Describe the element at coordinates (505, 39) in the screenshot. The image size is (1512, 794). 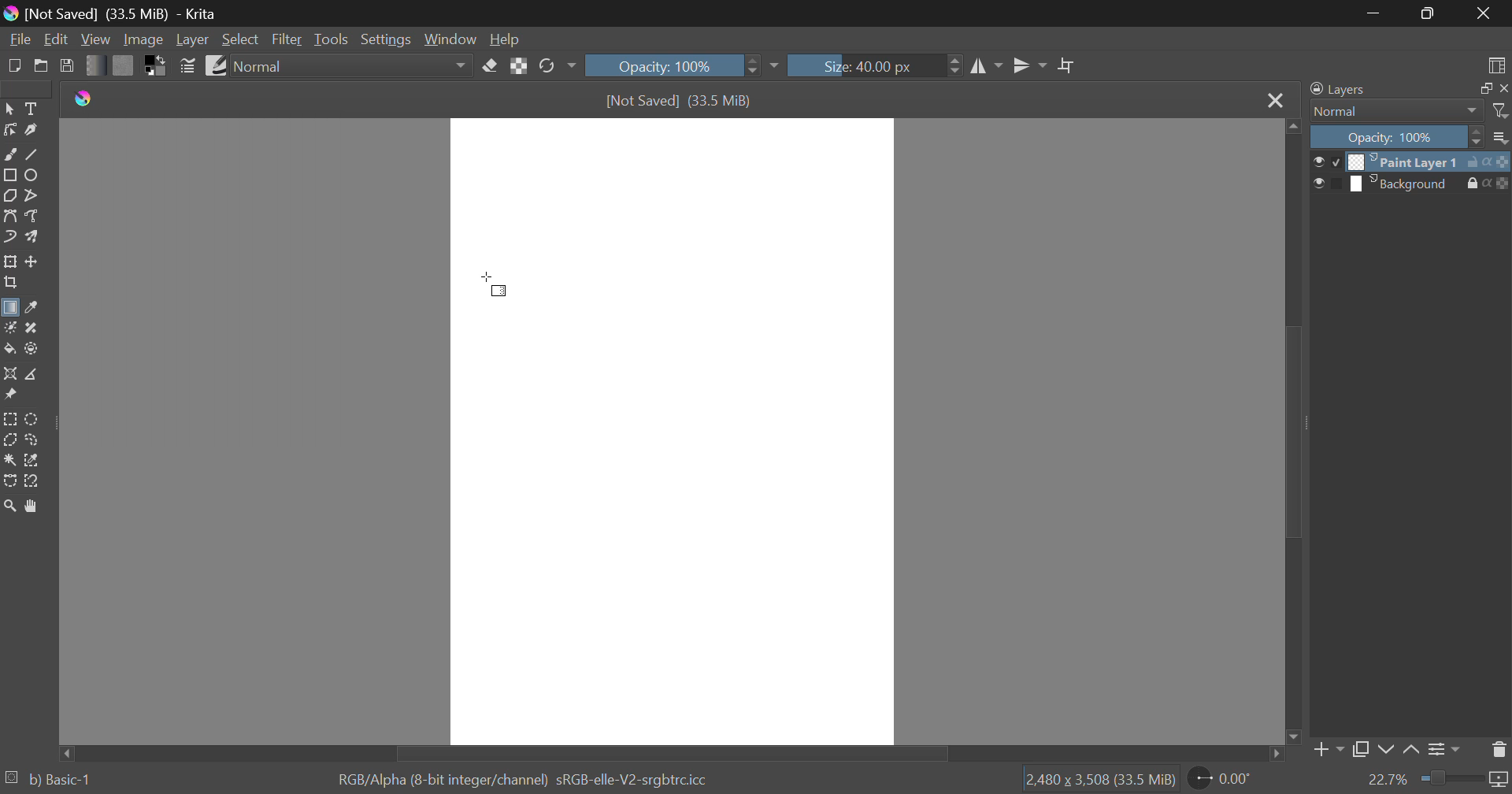
I see `Help` at that location.